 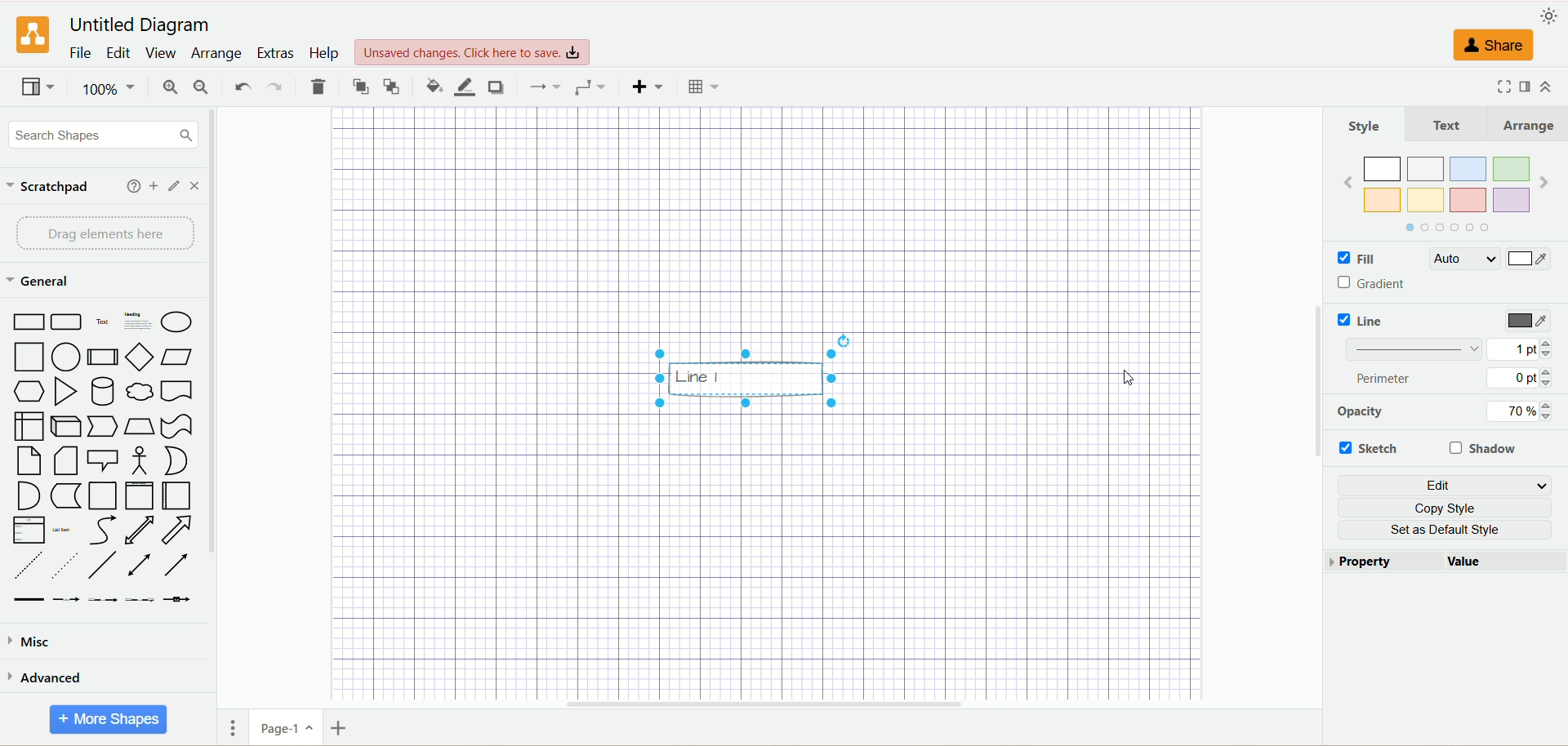 I want to click on page-1, so click(x=282, y=728).